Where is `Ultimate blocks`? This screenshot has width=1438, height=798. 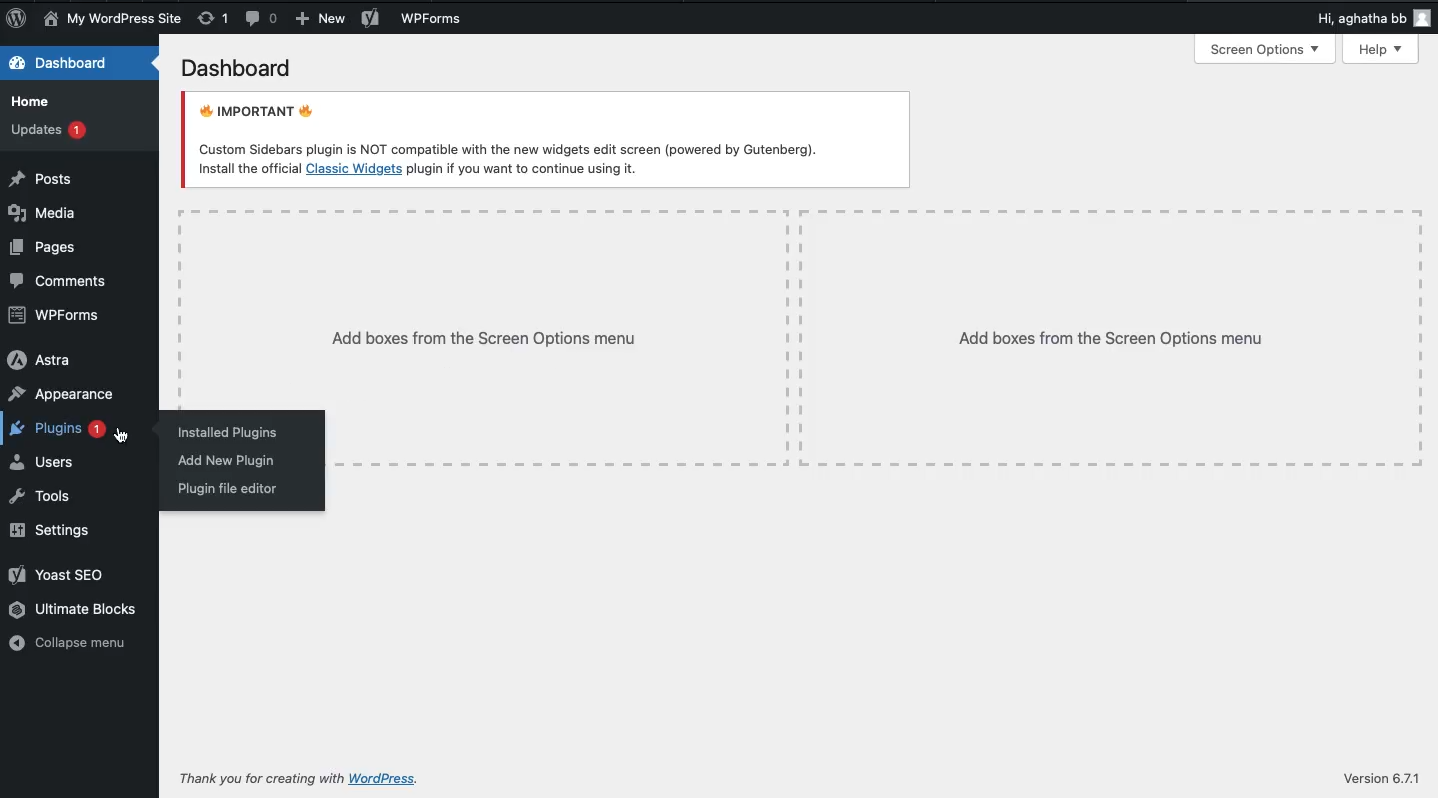 Ultimate blocks is located at coordinates (75, 609).